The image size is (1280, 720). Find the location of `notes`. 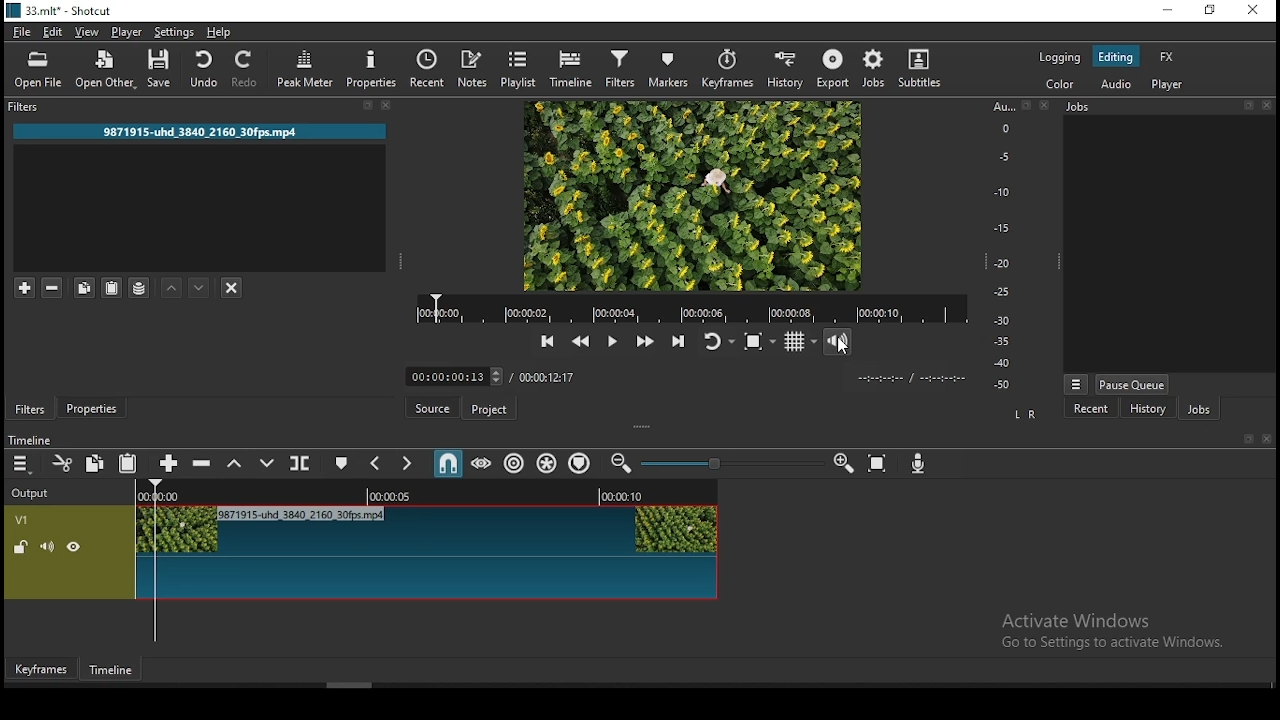

notes is located at coordinates (473, 68).